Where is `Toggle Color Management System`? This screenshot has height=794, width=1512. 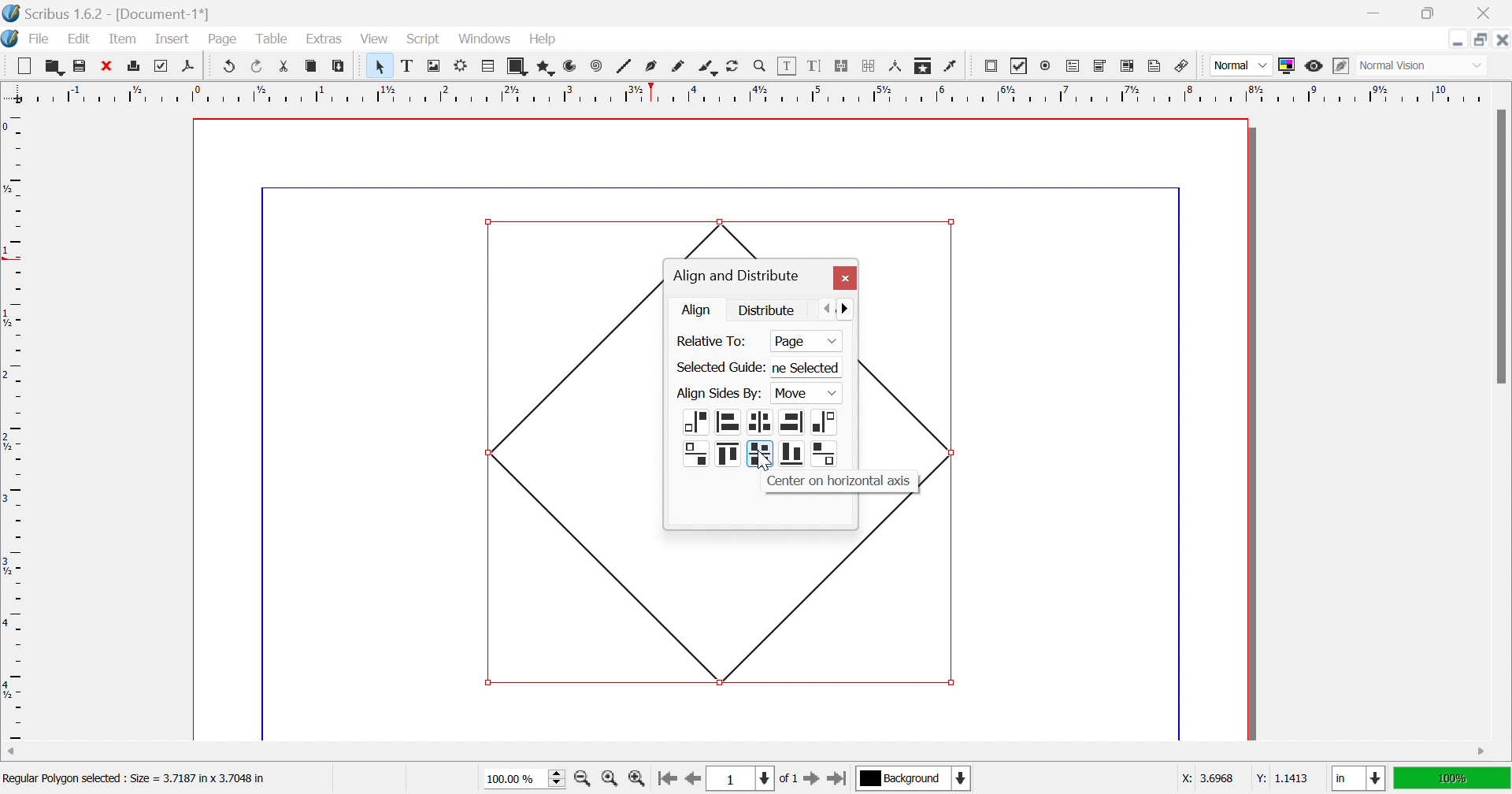
Toggle Color Management System is located at coordinates (1286, 65).